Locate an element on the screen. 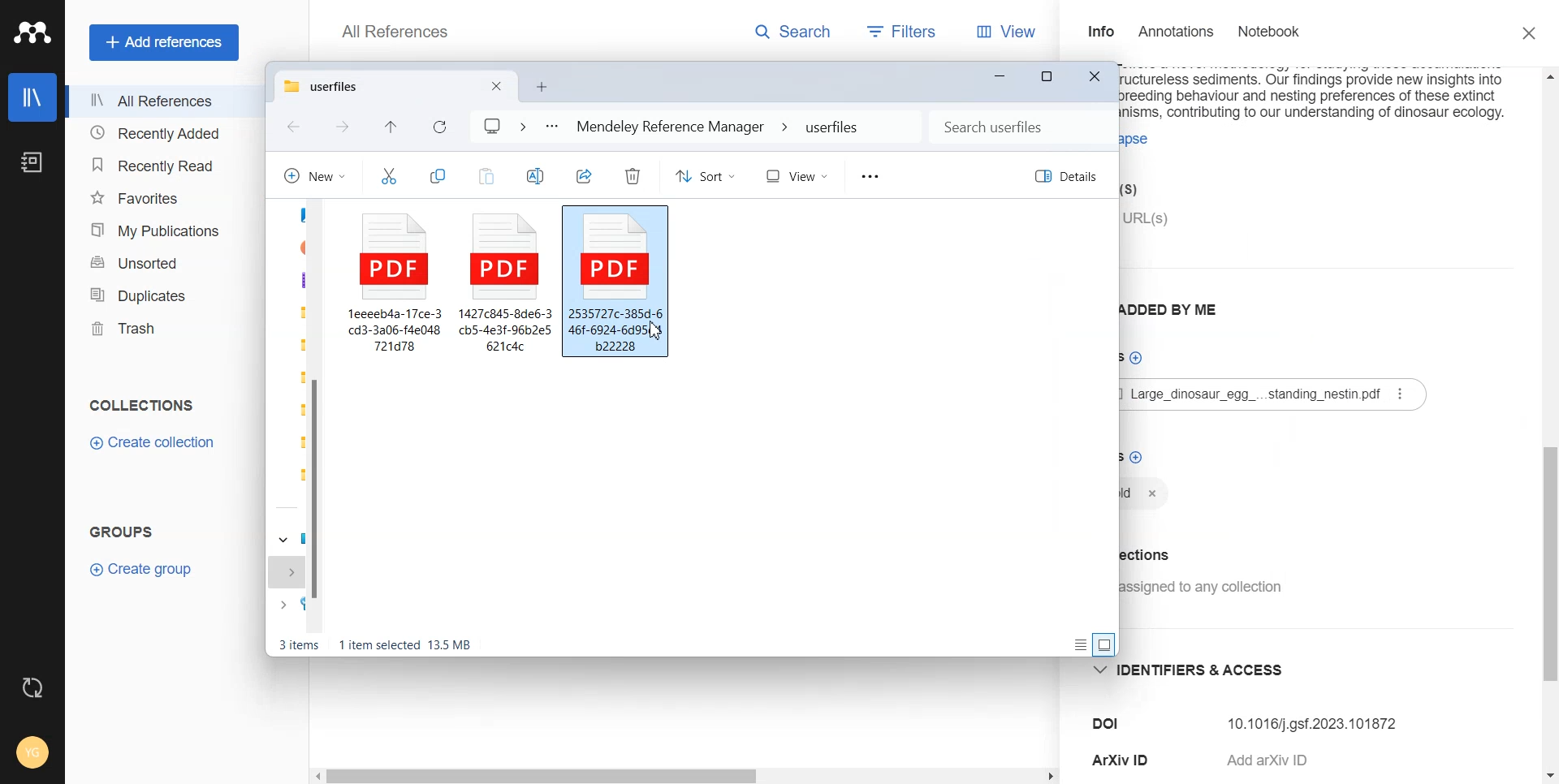 Image resolution: width=1559 pixels, height=784 pixels. Notebook is located at coordinates (32, 163).